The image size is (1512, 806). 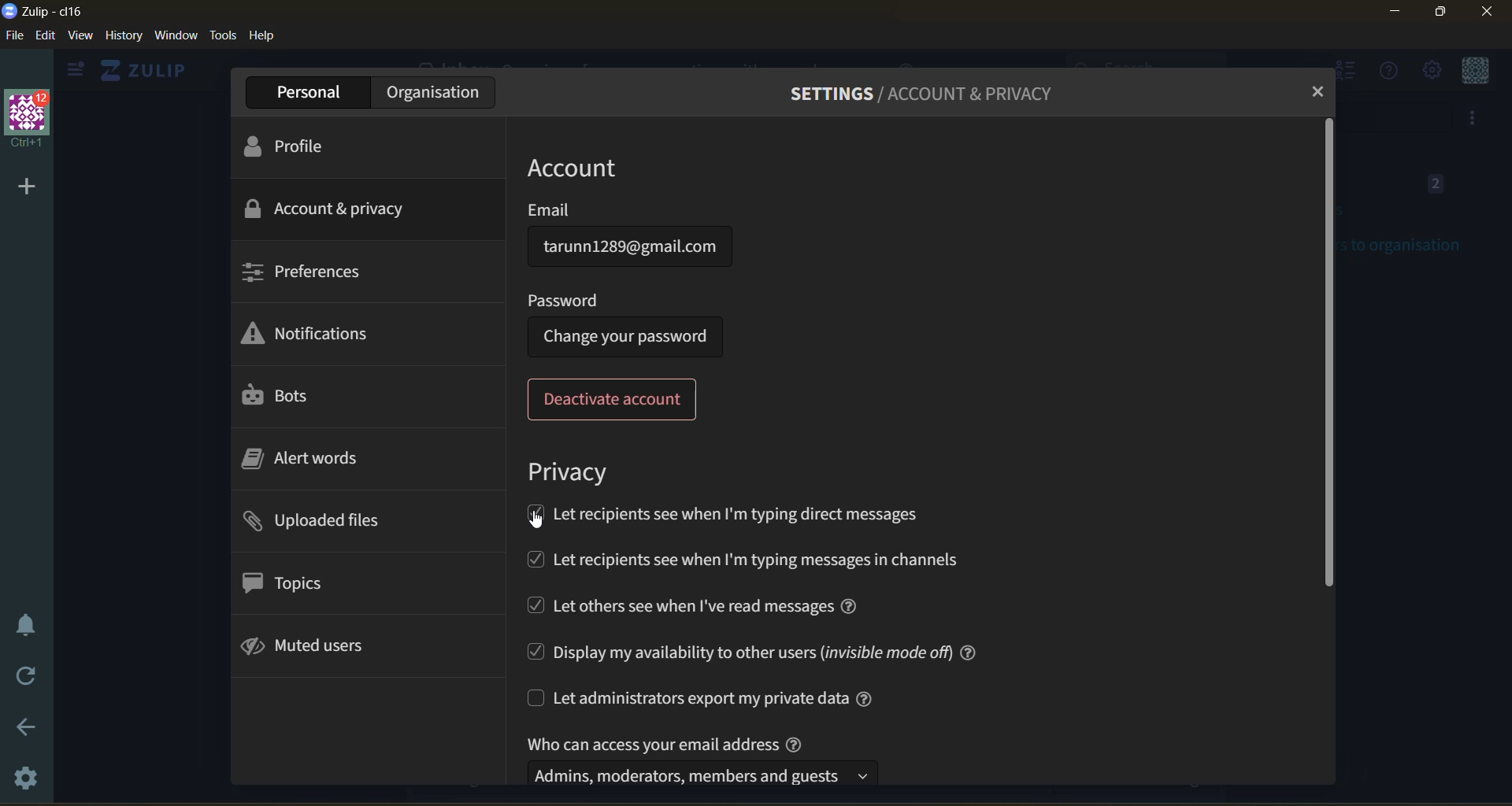 I want to click on personal, so click(x=309, y=93).